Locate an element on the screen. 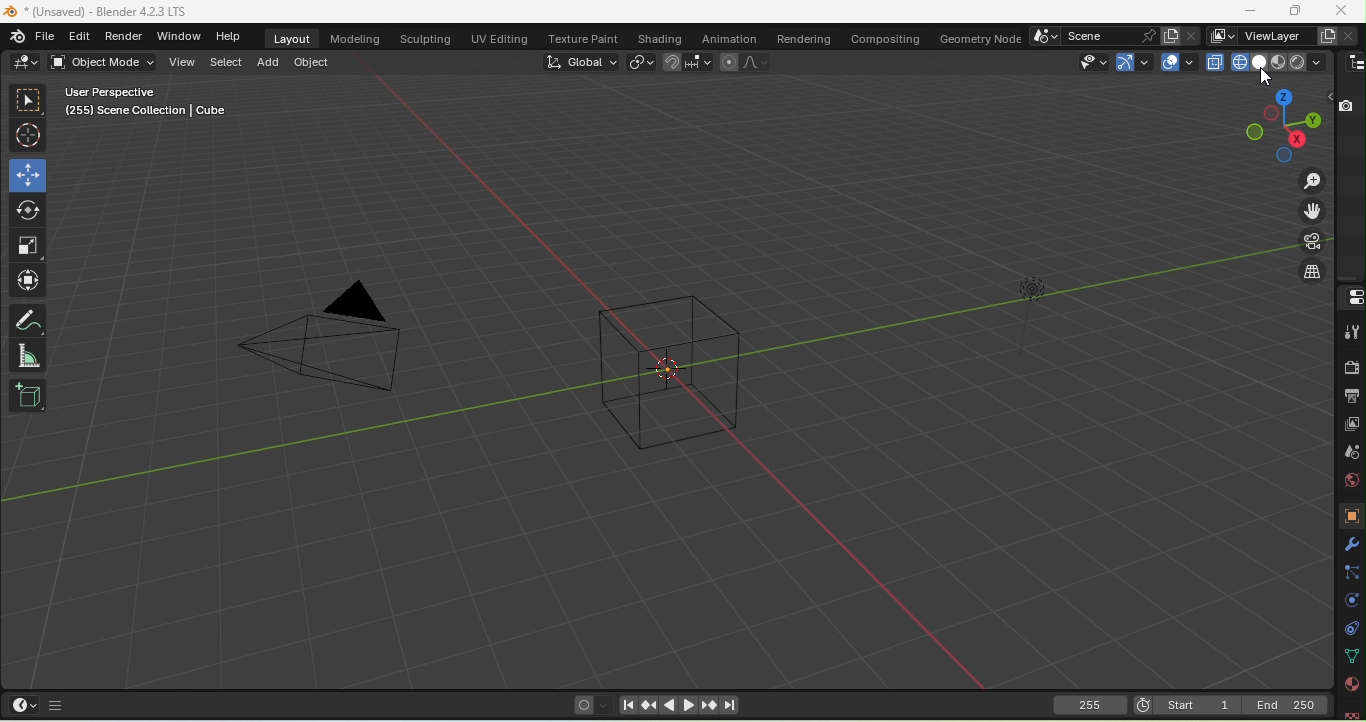 Image resolution: width=1366 pixels, height=722 pixels. Sculpting is located at coordinates (426, 39).